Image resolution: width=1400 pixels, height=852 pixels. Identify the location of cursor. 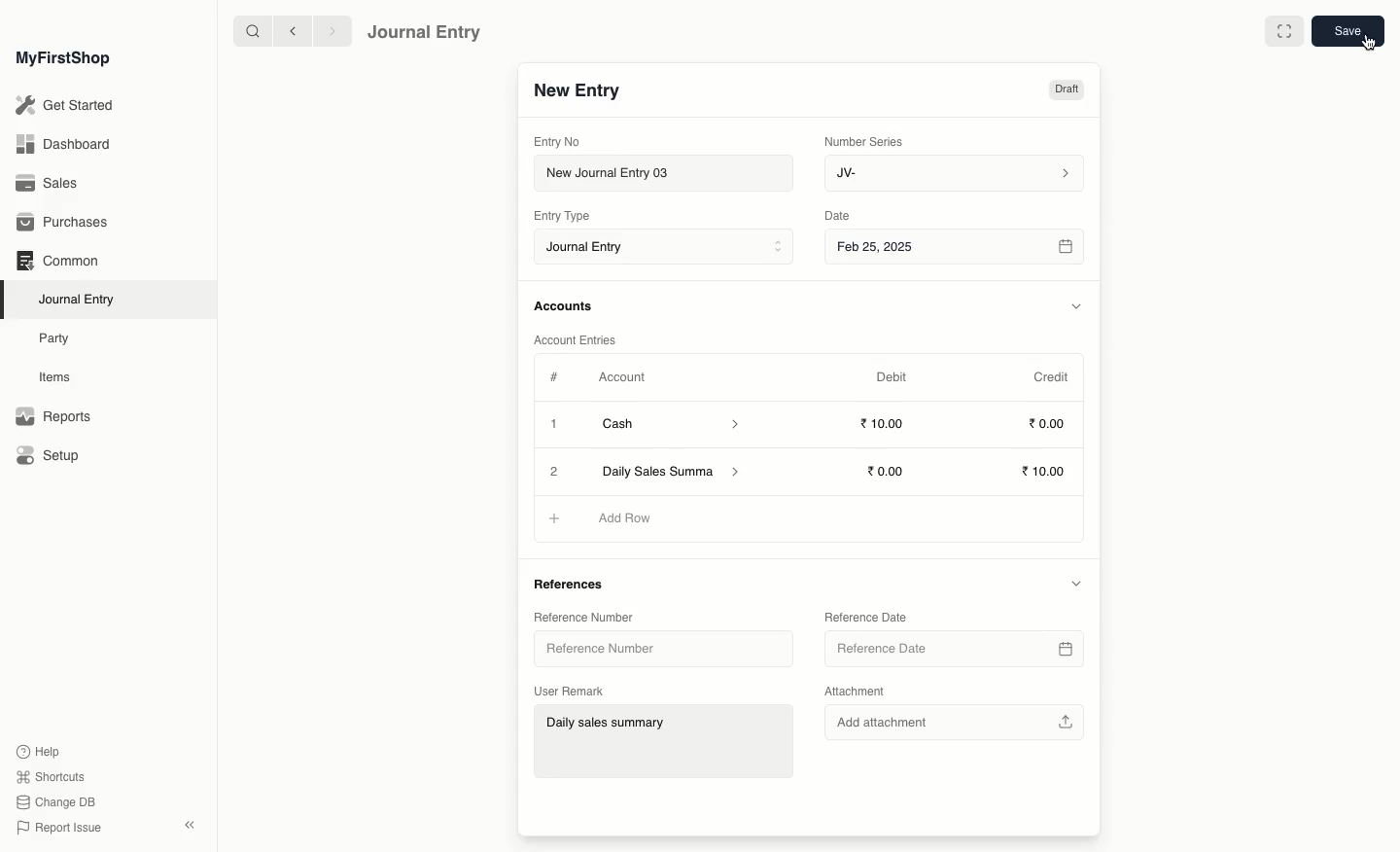
(1365, 49).